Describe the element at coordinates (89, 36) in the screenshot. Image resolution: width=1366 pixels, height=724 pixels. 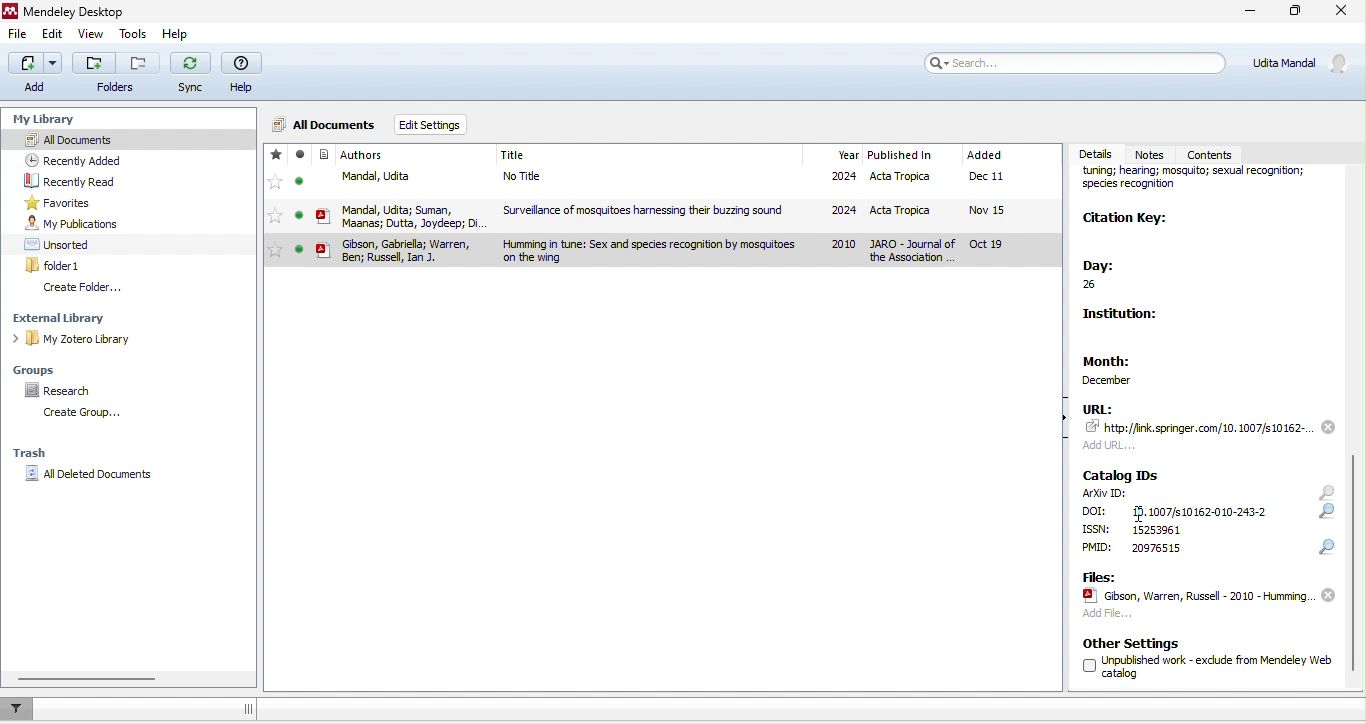
I see `view` at that location.